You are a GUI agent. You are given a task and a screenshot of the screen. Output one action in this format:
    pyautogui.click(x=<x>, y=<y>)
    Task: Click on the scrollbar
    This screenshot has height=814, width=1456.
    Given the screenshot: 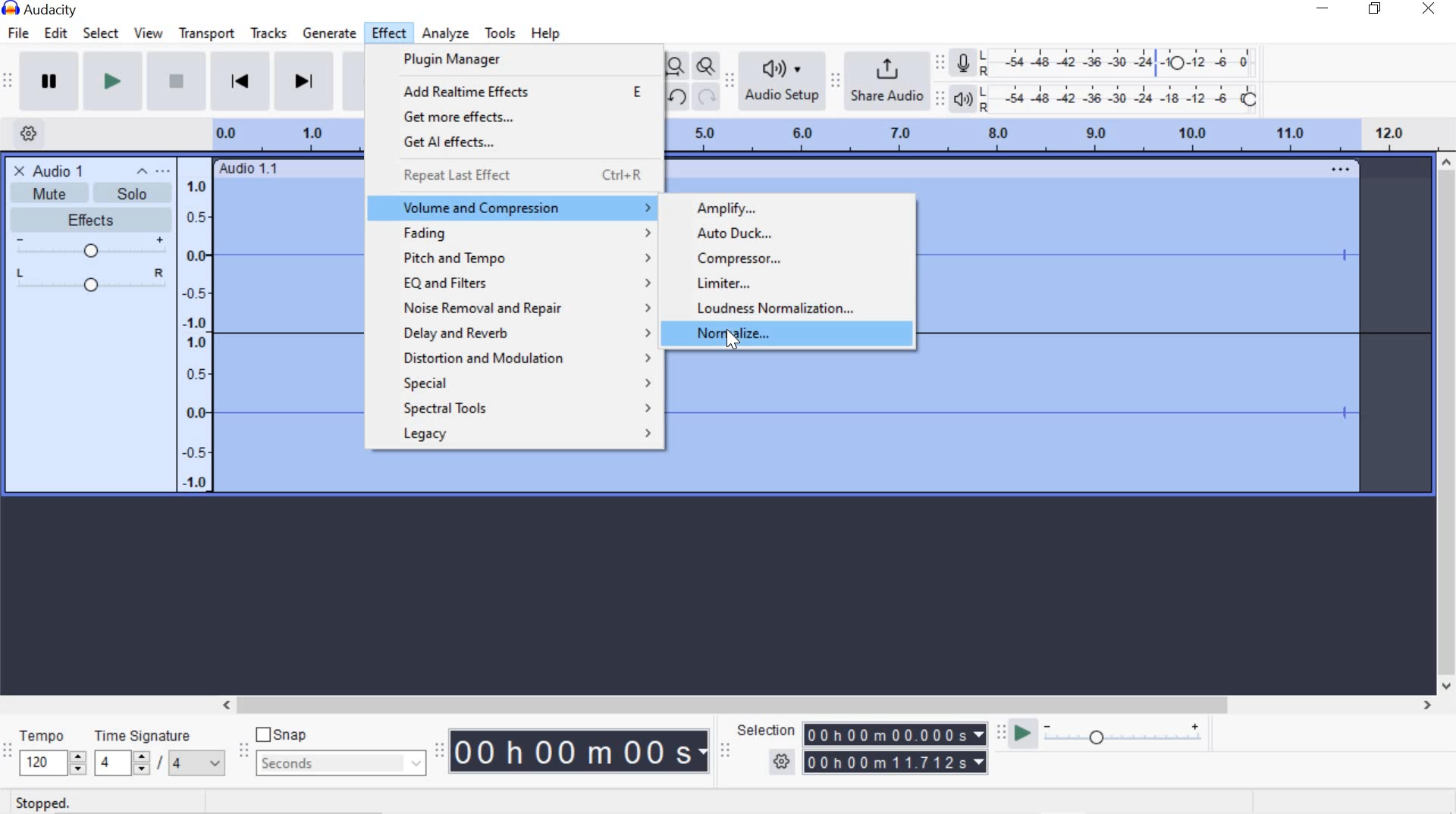 What is the action you would take?
    pyautogui.click(x=824, y=703)
    